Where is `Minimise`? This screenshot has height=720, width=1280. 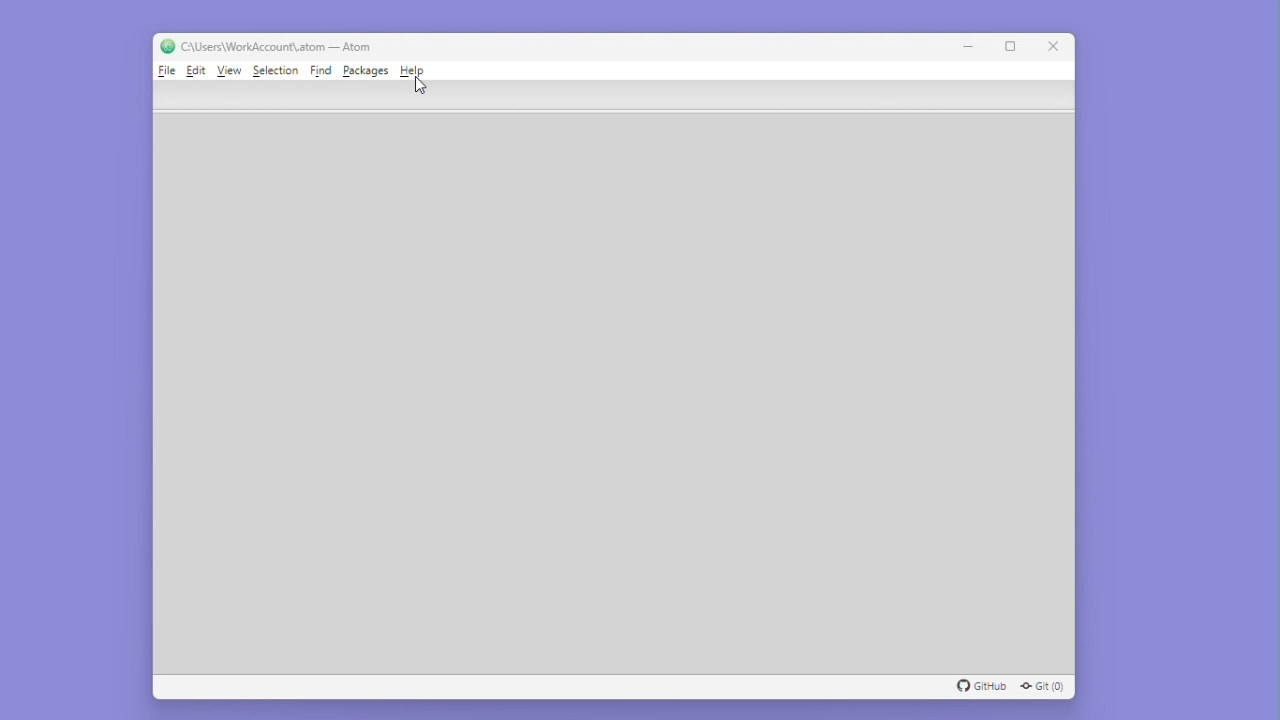
Minimise is located at coordinates (970, 46).